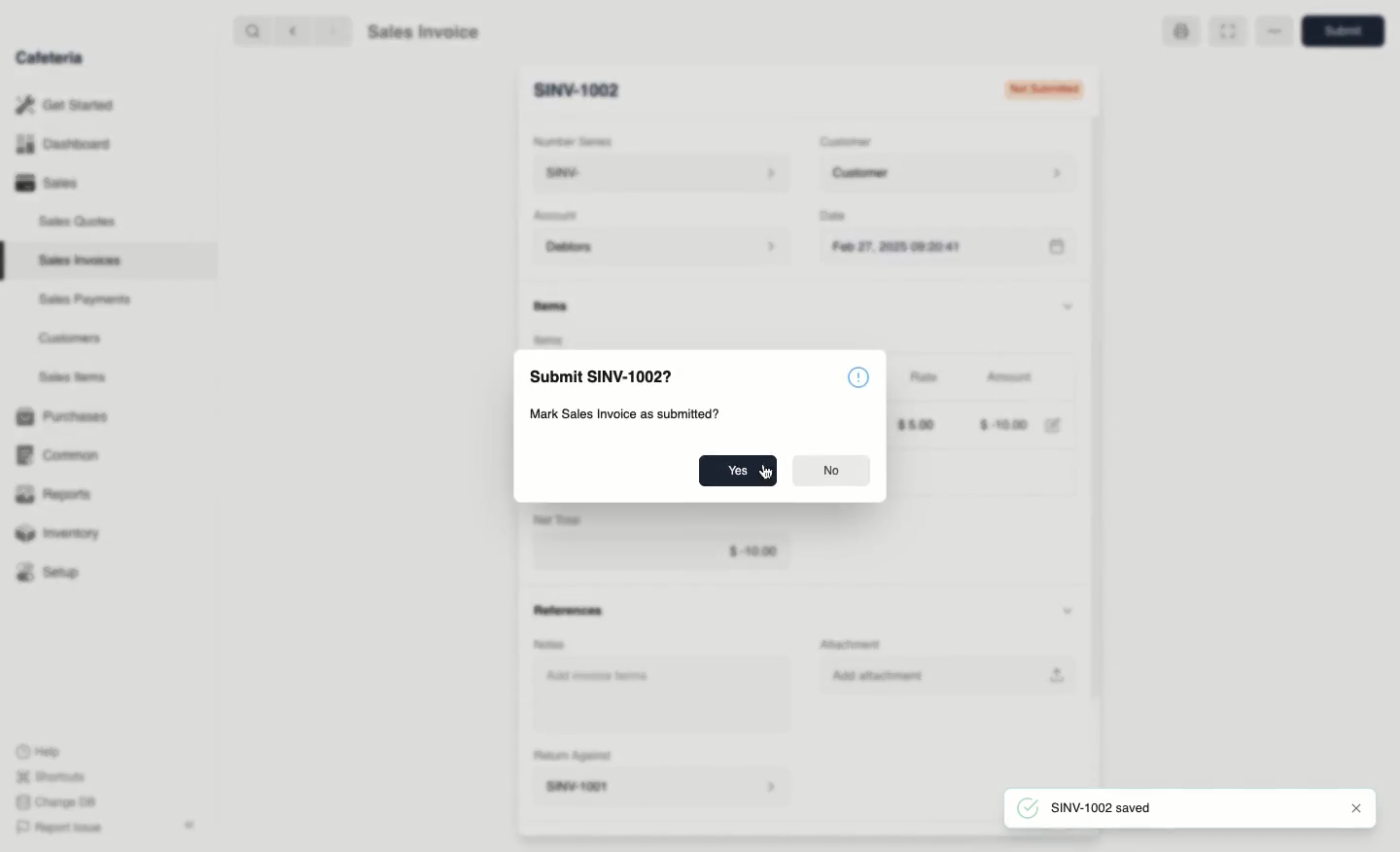 This screenshot has width=1400, height=852. I want to click on Sales, so click(50, 183).